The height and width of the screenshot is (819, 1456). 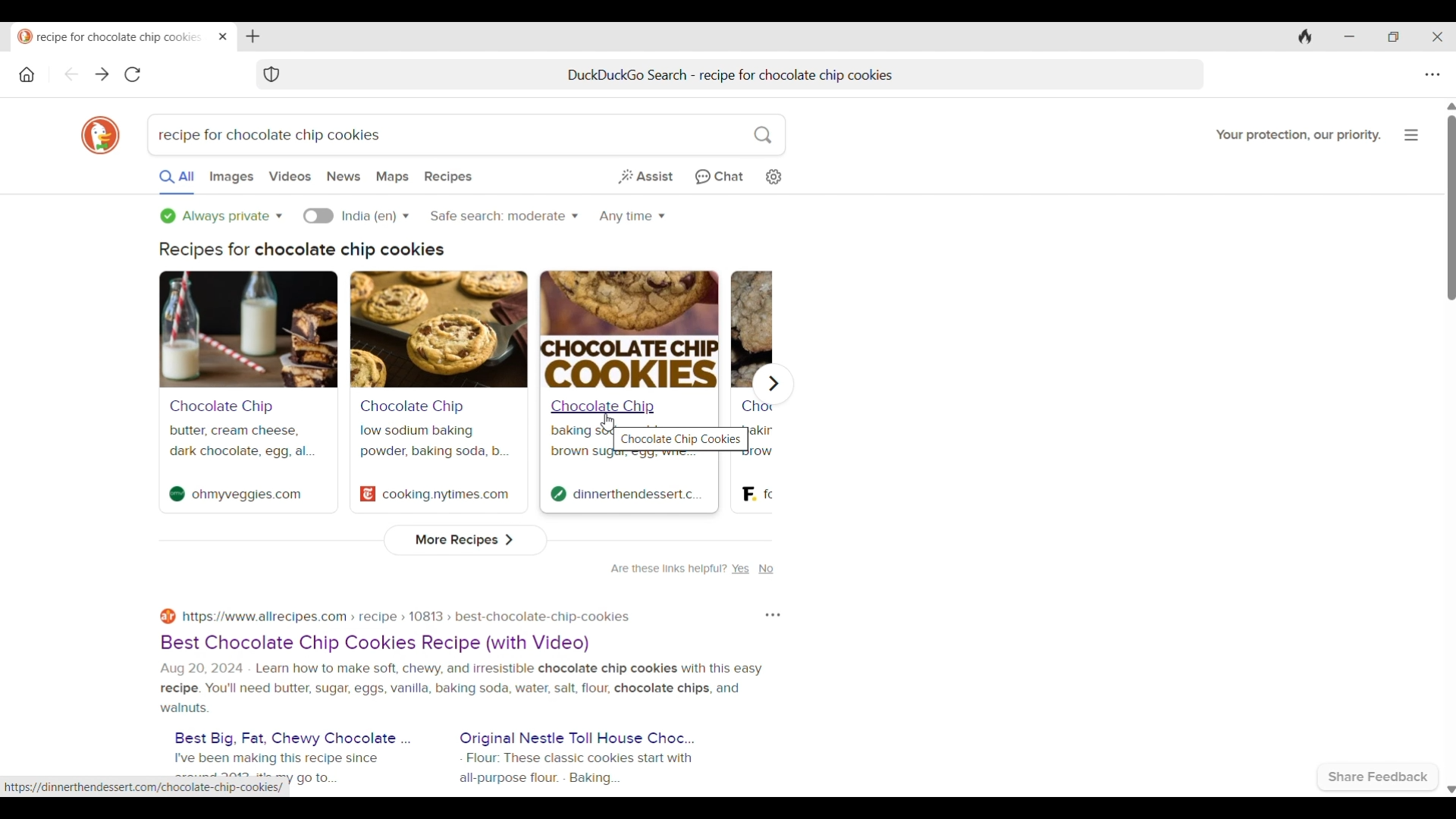 What do you see at coordinates (632, 217) in the screenshot?
I see `Search within specific time period` at bounding box center [632, 217].